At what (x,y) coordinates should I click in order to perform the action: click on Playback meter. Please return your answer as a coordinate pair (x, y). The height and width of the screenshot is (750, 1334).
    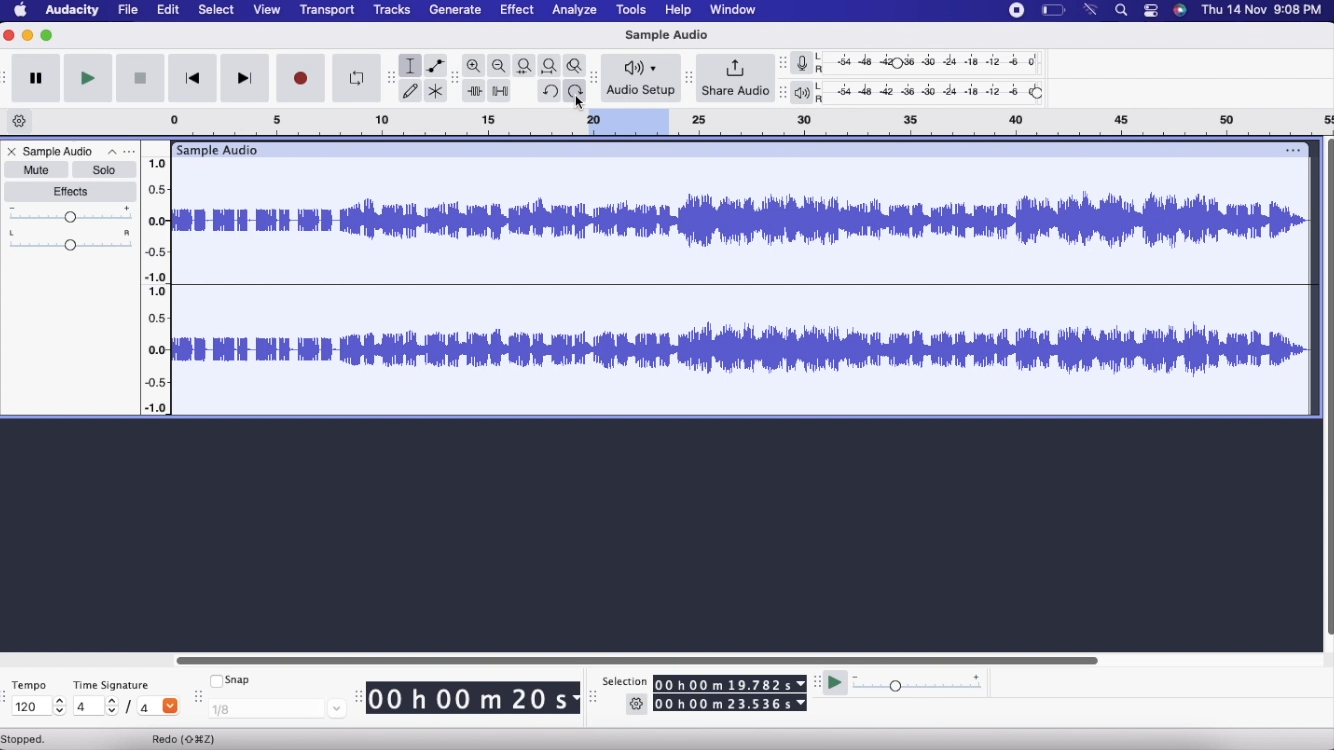
    Looking at the image, I should click on (806, 92).